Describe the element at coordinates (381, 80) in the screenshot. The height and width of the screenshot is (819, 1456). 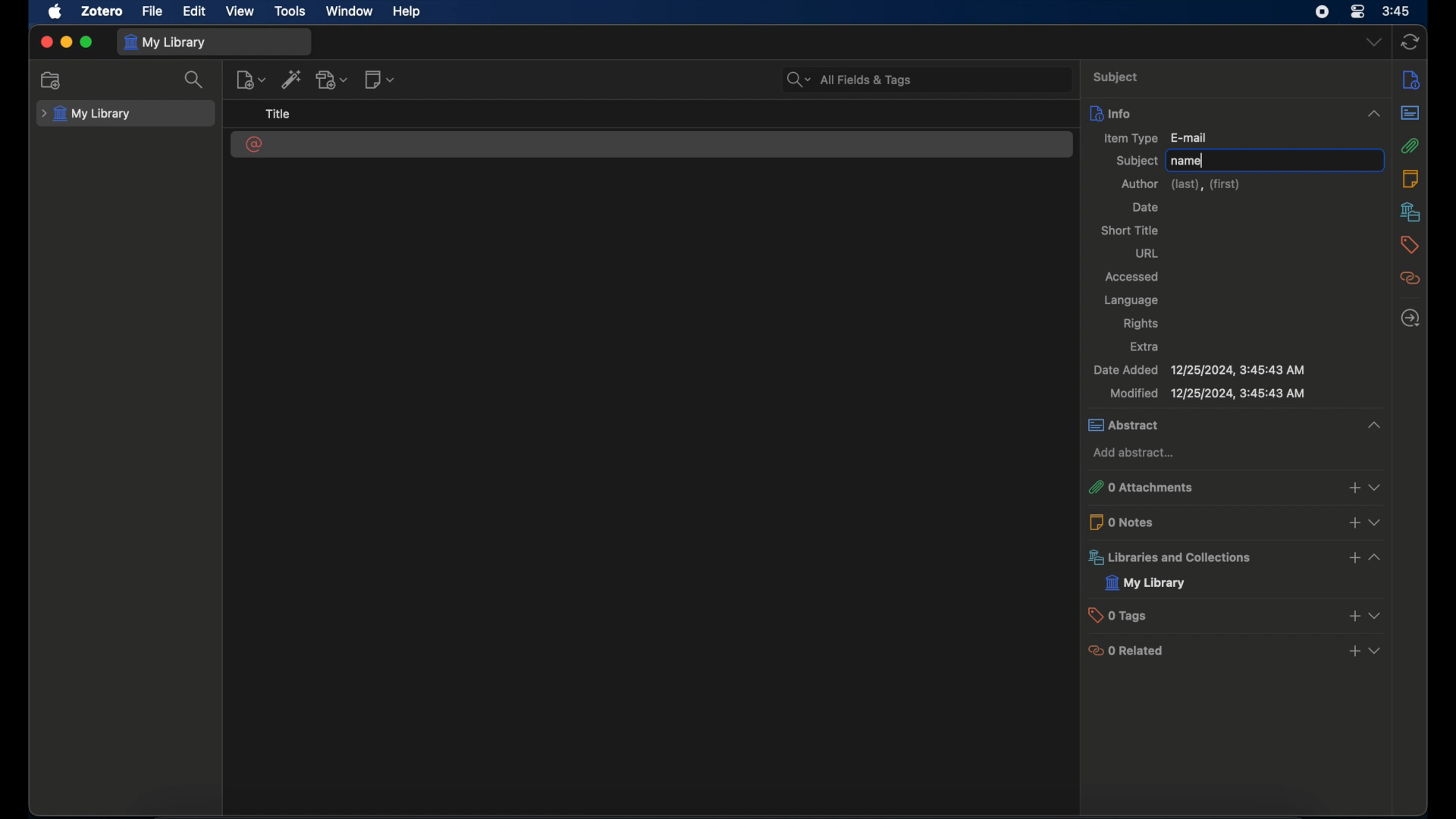
I see `new notes` at that location.